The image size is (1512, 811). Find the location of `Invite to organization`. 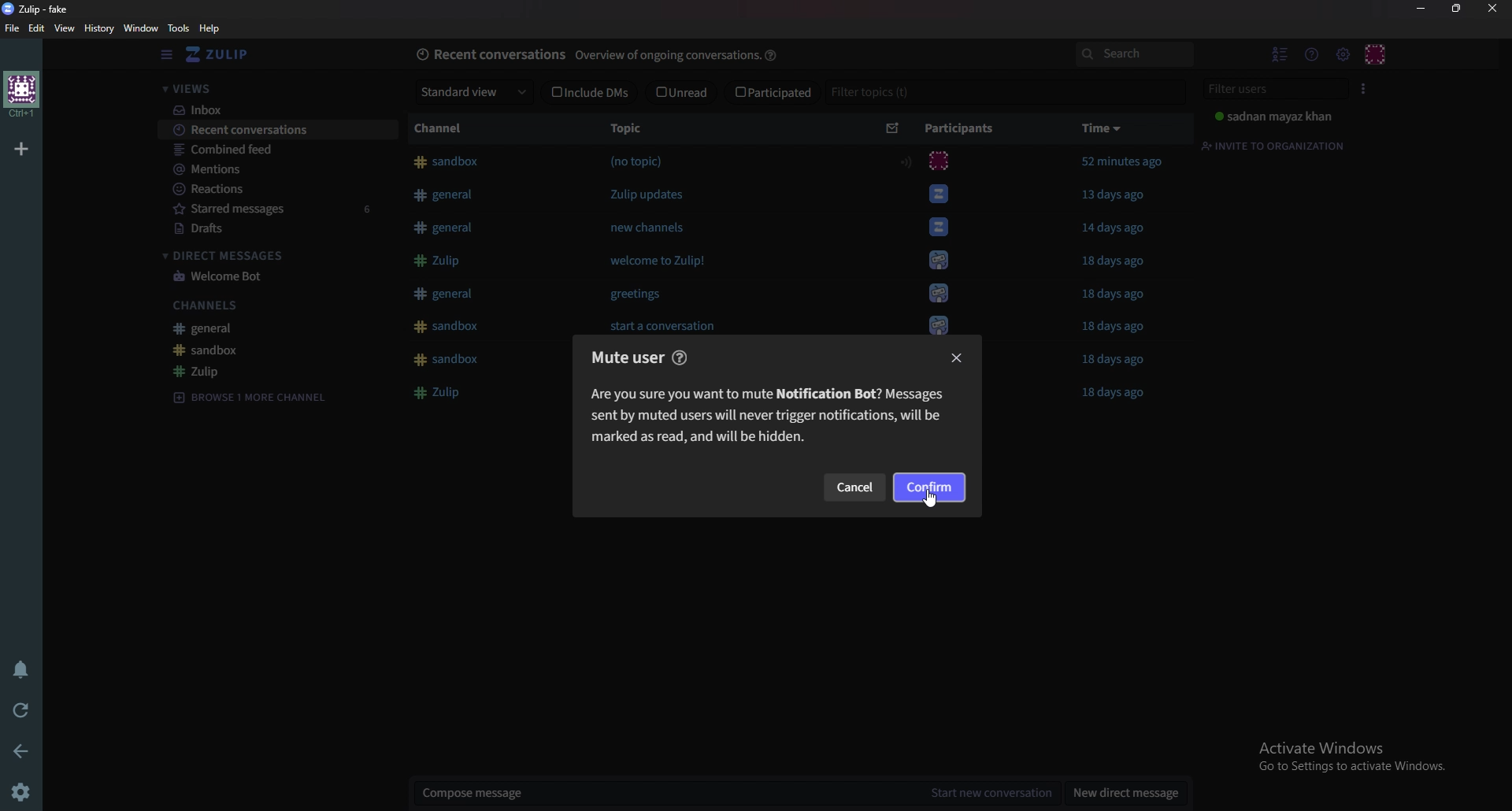

Invite to organization is located at coordinates (1273, 146).